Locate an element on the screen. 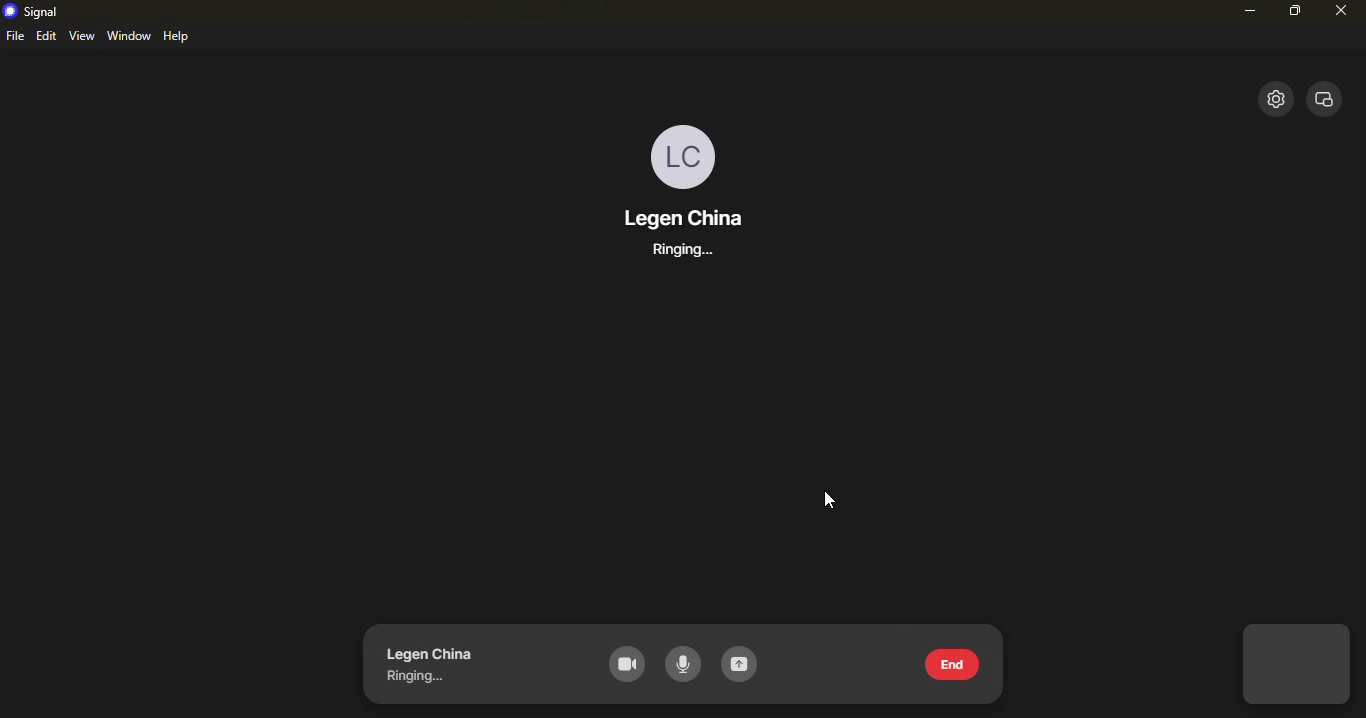 Image resolution: width=1366 pixels, height=718 pixels. minimize is located at coordinates (1244, 10).